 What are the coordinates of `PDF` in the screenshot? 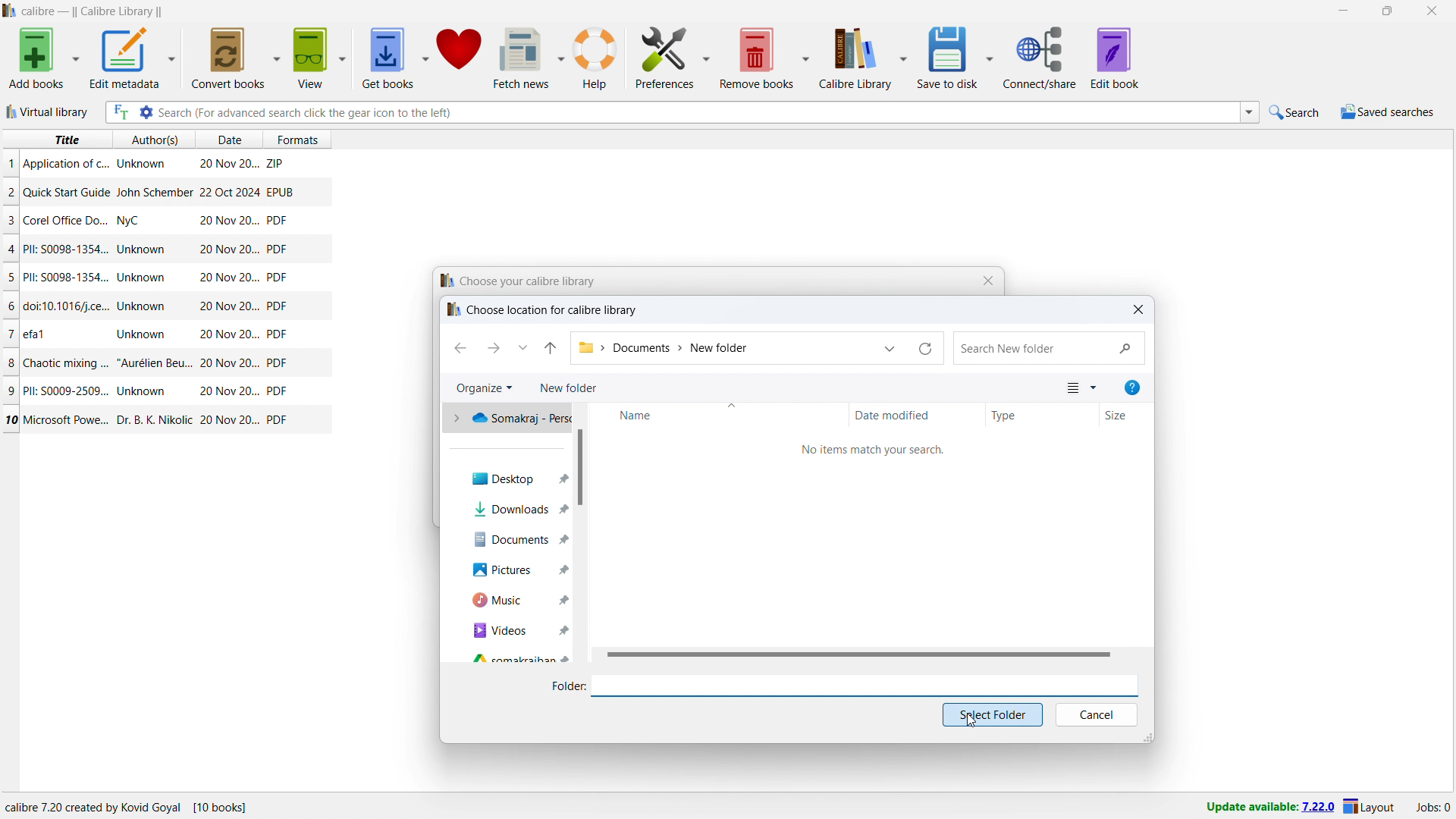 It's located at (279, 364).